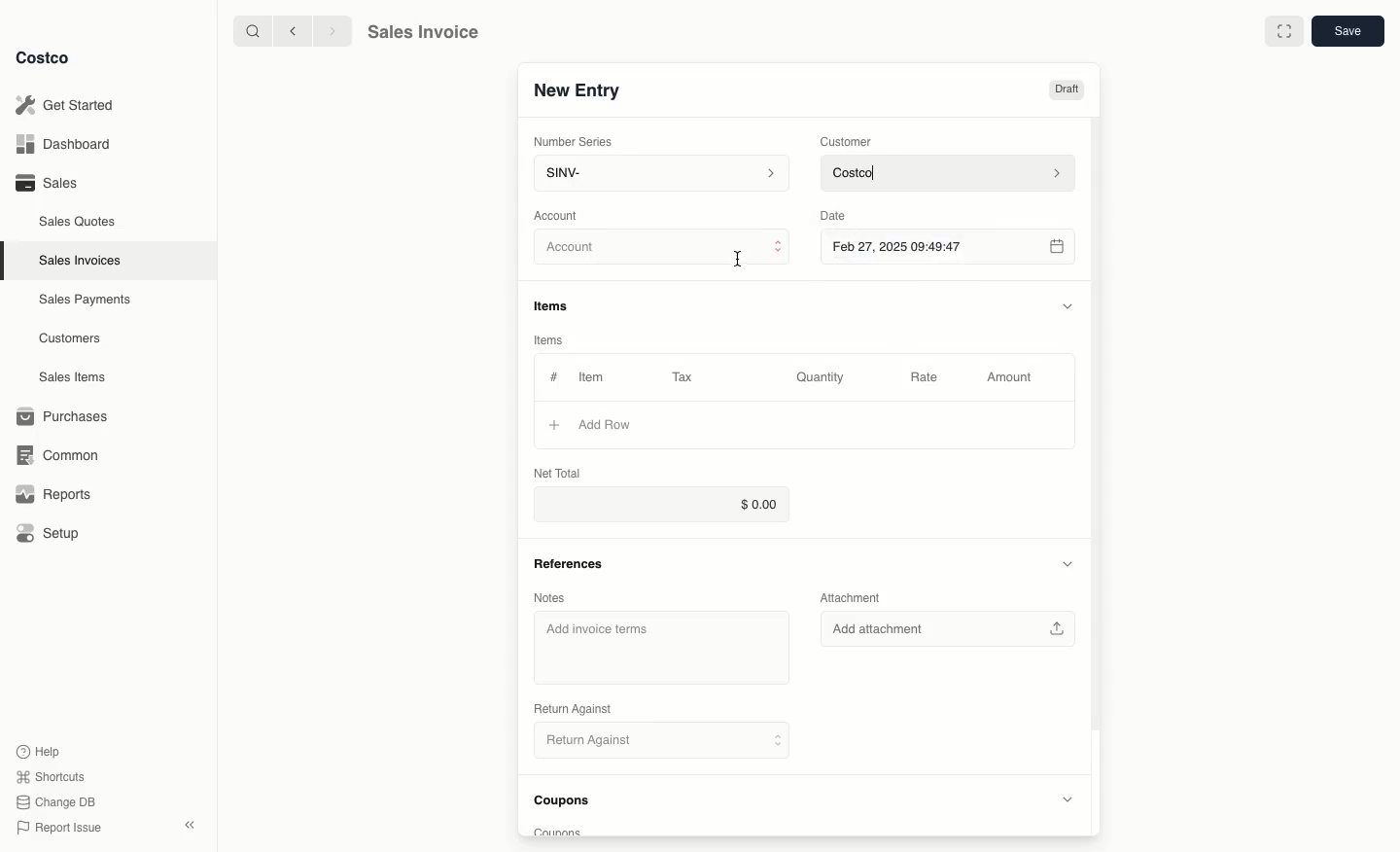 The width and height of the screenshot is (1400, 852). What do you see at coordinates (857, 598) in the screenshot?
I see `Attachment` at bounding box center [857, 598].